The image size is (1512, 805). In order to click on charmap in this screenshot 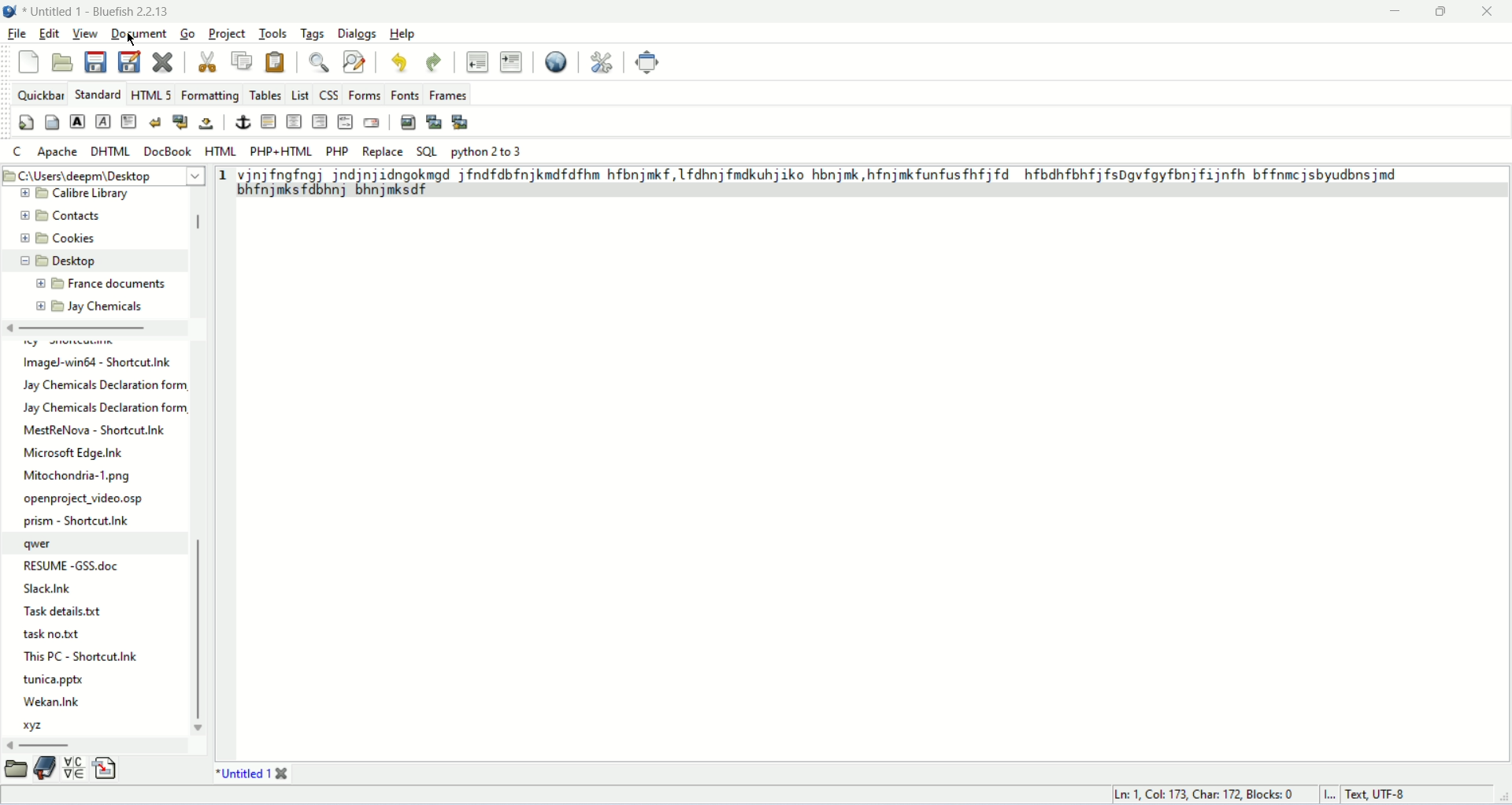, I will do `click(72, 770)`.